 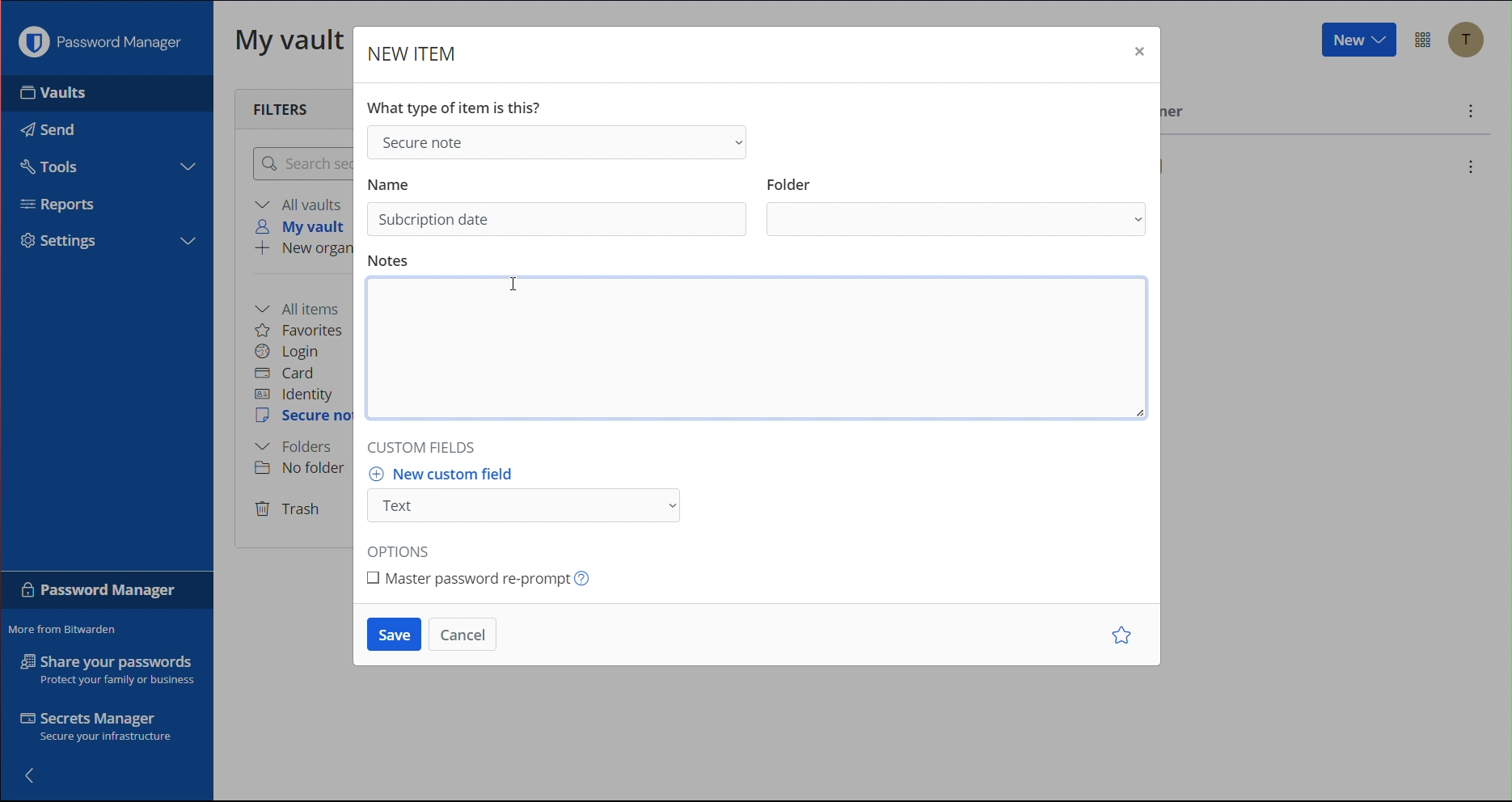 I want to click on Tools, so click(x=47, y=164).